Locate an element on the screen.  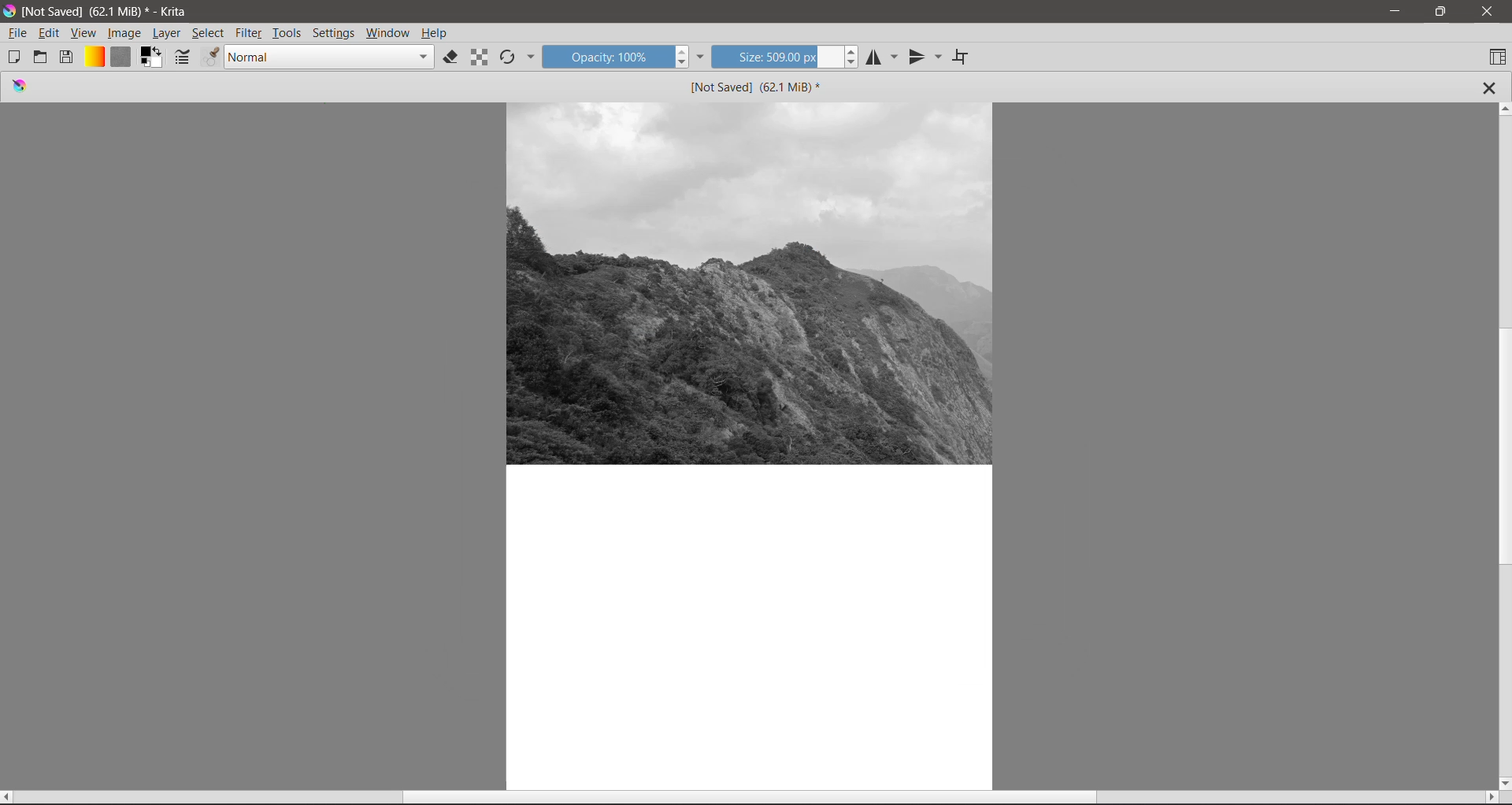
Application Name is located at coordinates (108, 10).